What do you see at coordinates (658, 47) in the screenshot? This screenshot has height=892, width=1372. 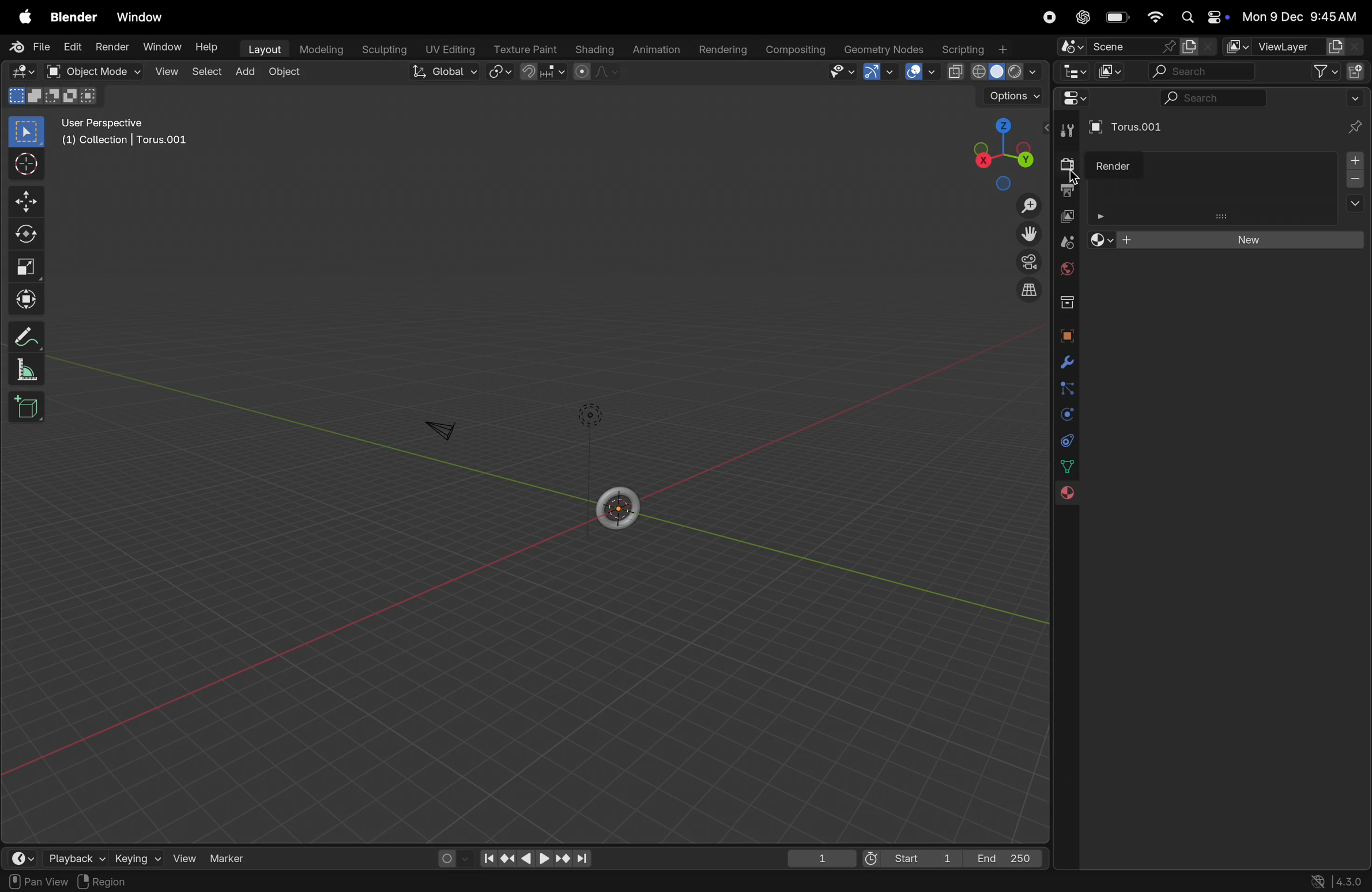 I see `animations` at bounding box center [658, 47].